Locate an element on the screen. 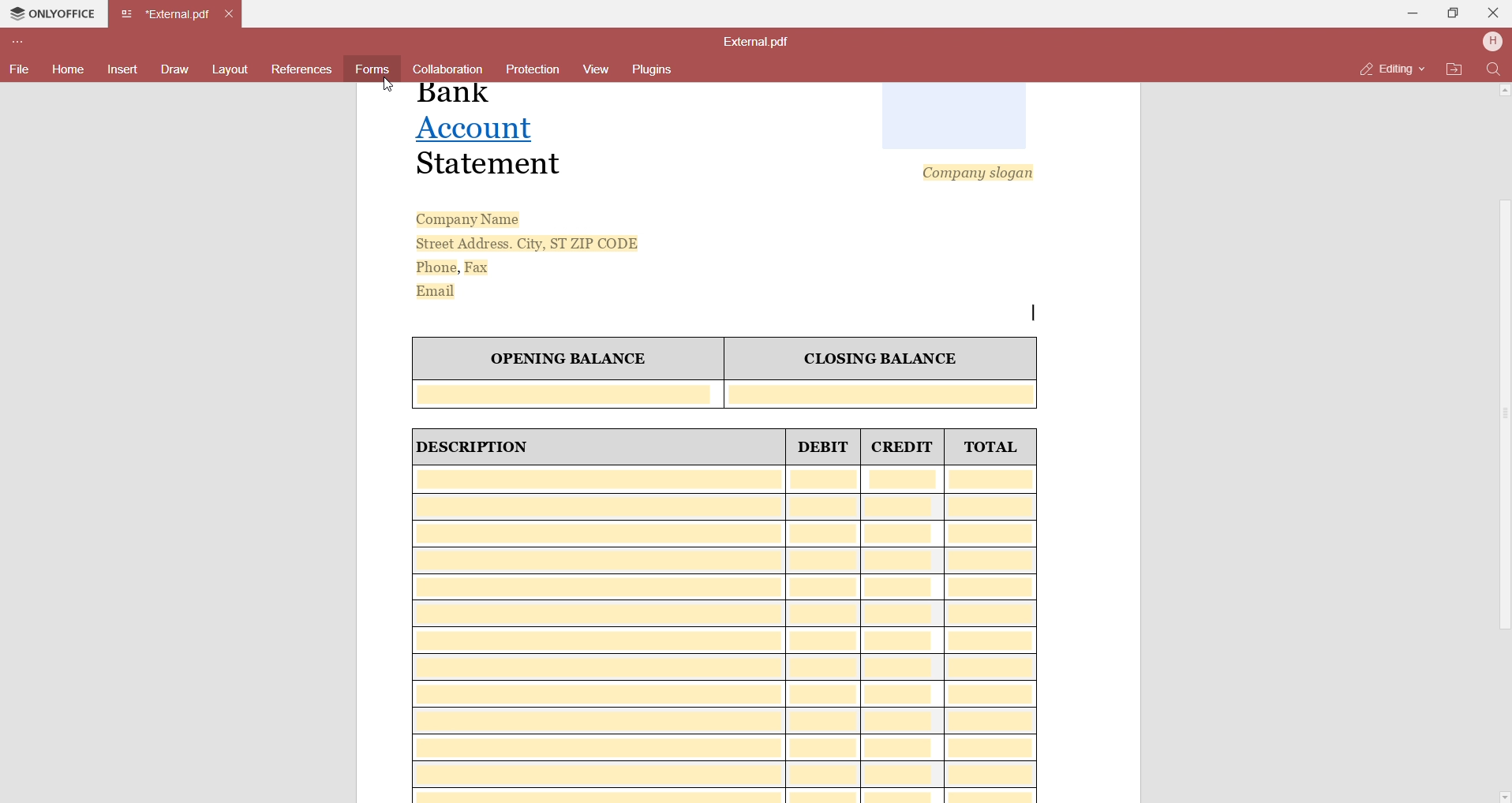 The width and height of the screenshot is (1512, 803). References is located at coordinates (304, 69).